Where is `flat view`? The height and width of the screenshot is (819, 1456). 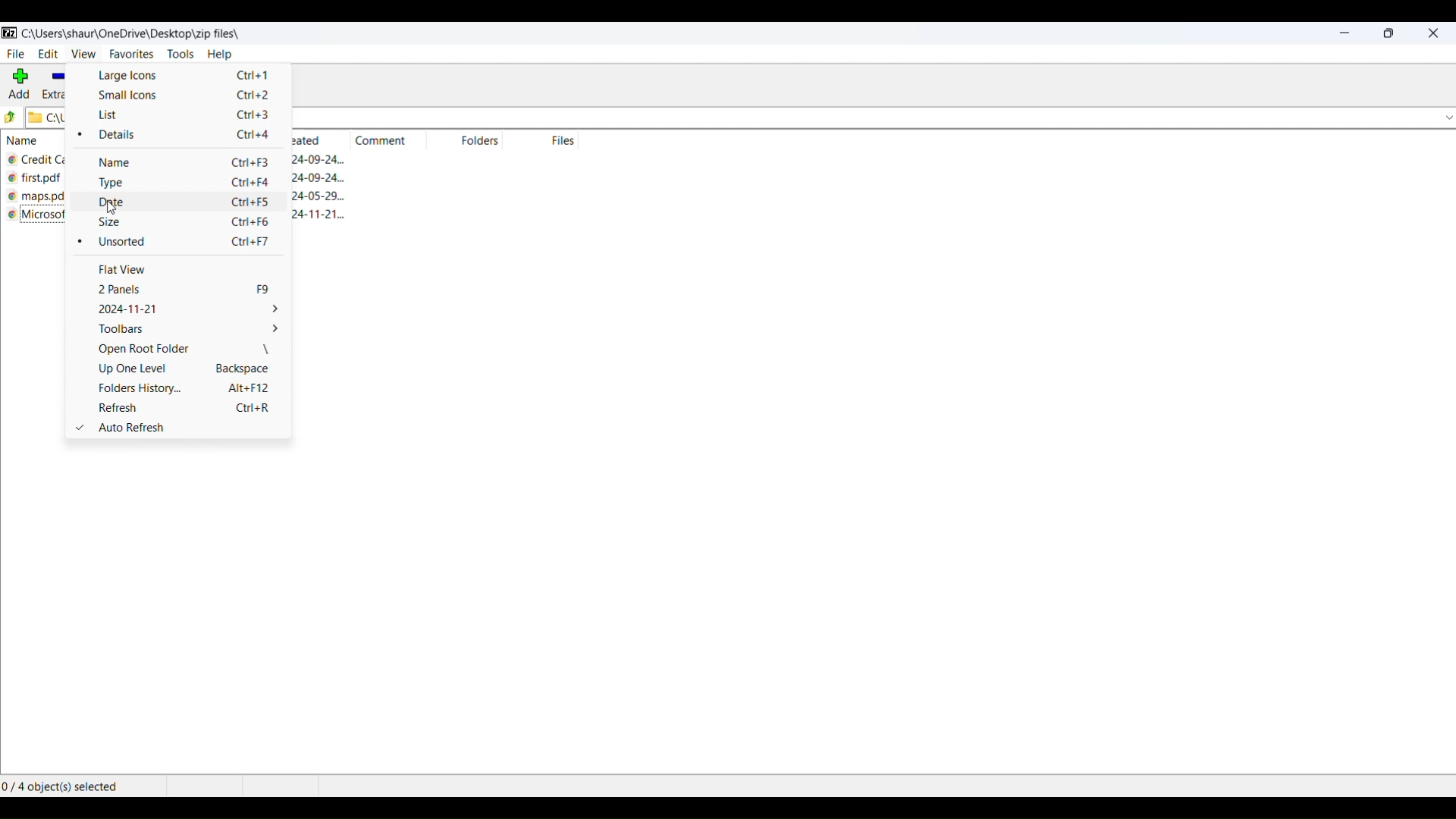 flat view is located at coordinates (184, 271).